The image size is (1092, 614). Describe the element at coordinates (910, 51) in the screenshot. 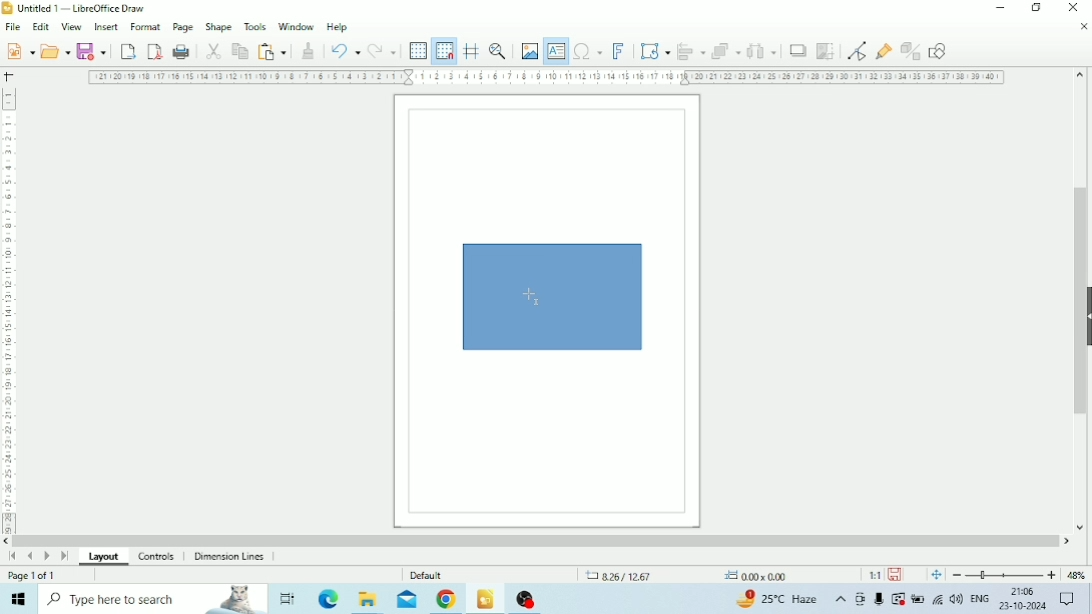

I see `Toggle Extrusion` at that location.